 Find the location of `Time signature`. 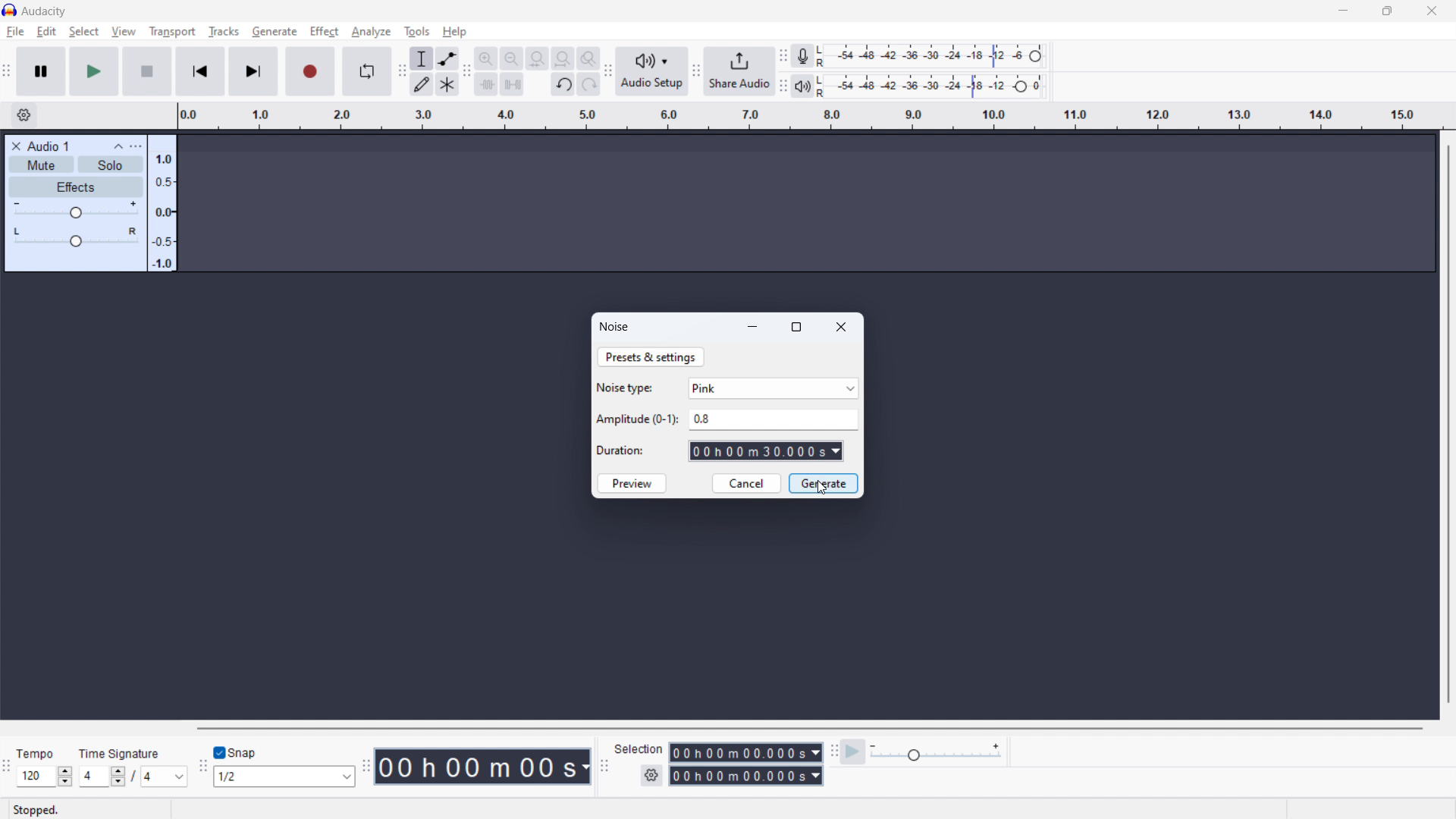

Time signature is located at coordinates (122, 752).